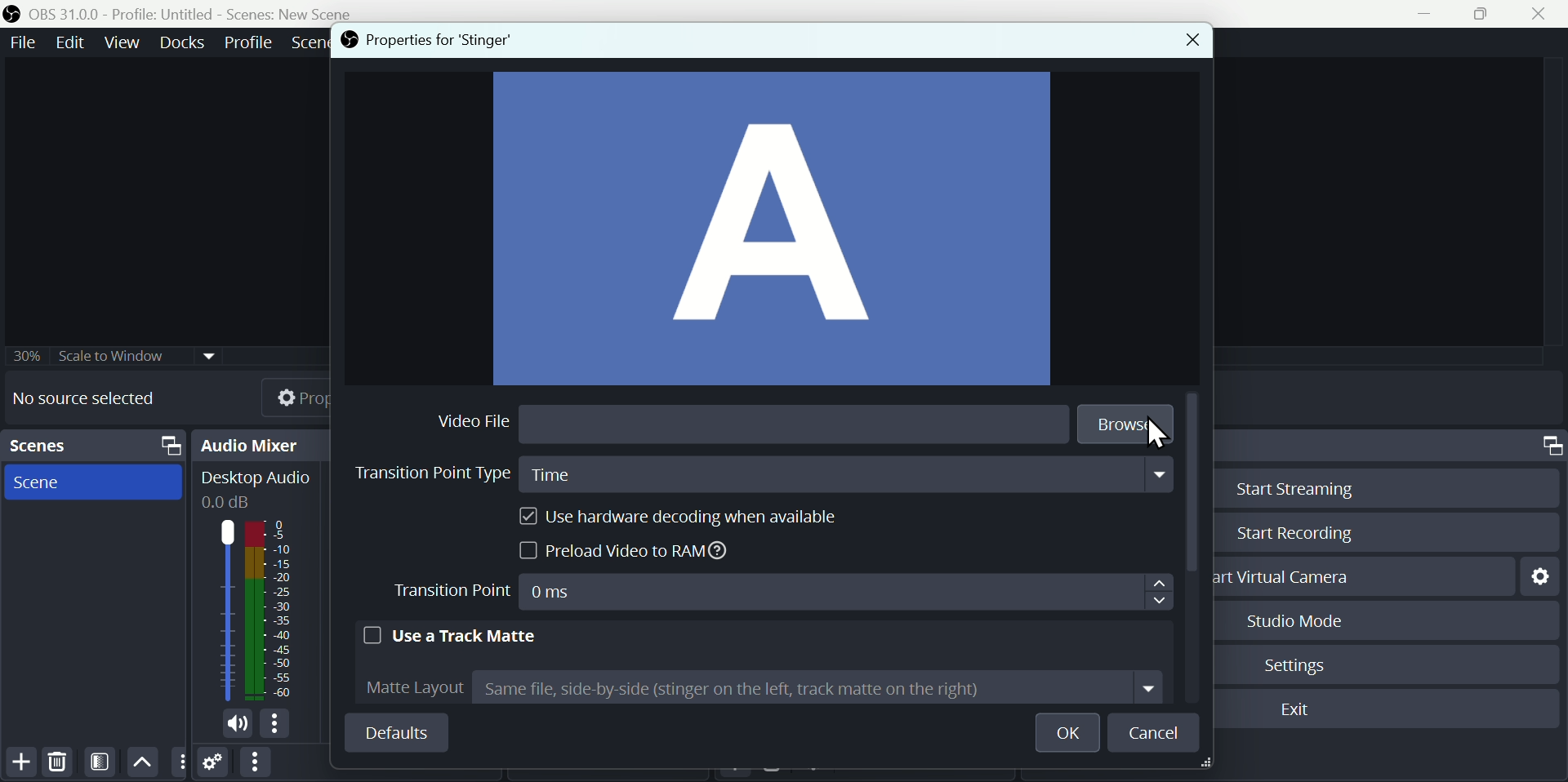 The height and width of the screenshot is (782, 1568). I want to click on Audio mixer, so click(265, 444).